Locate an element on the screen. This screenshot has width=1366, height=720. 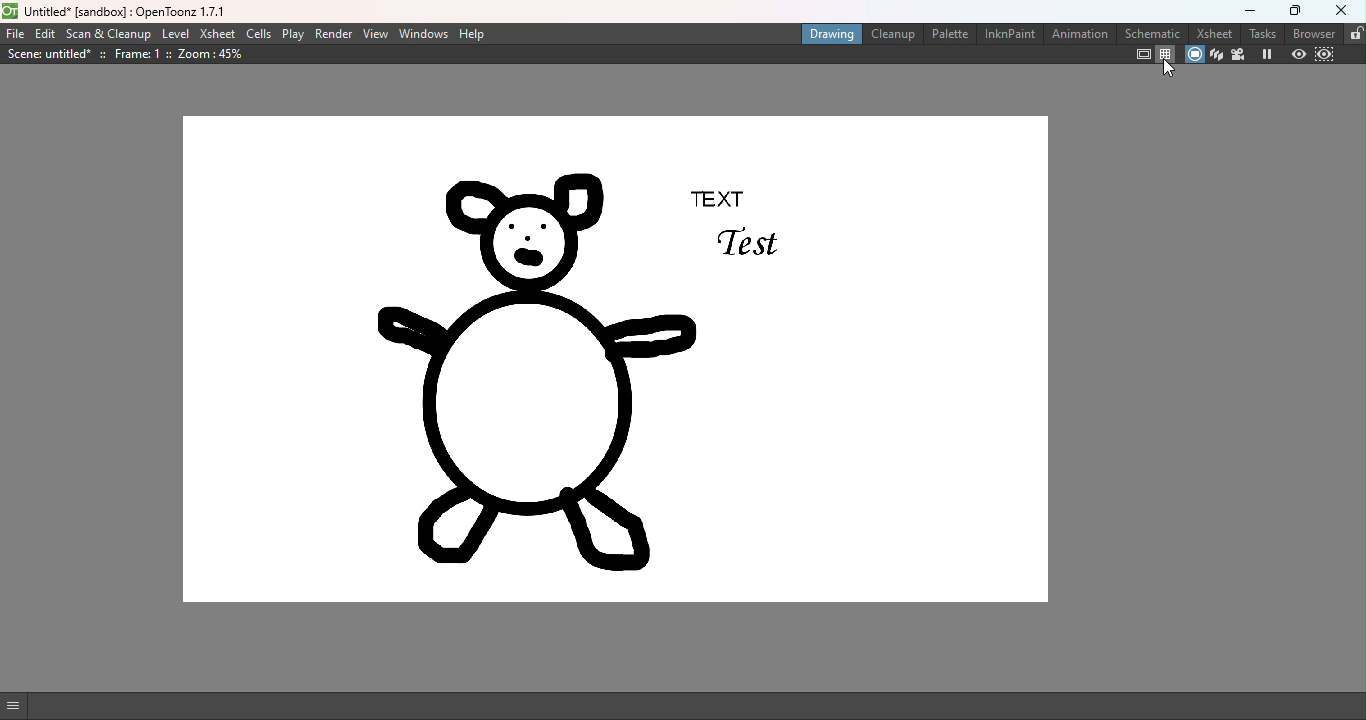
Canvas is located at coordinates (617, 360).